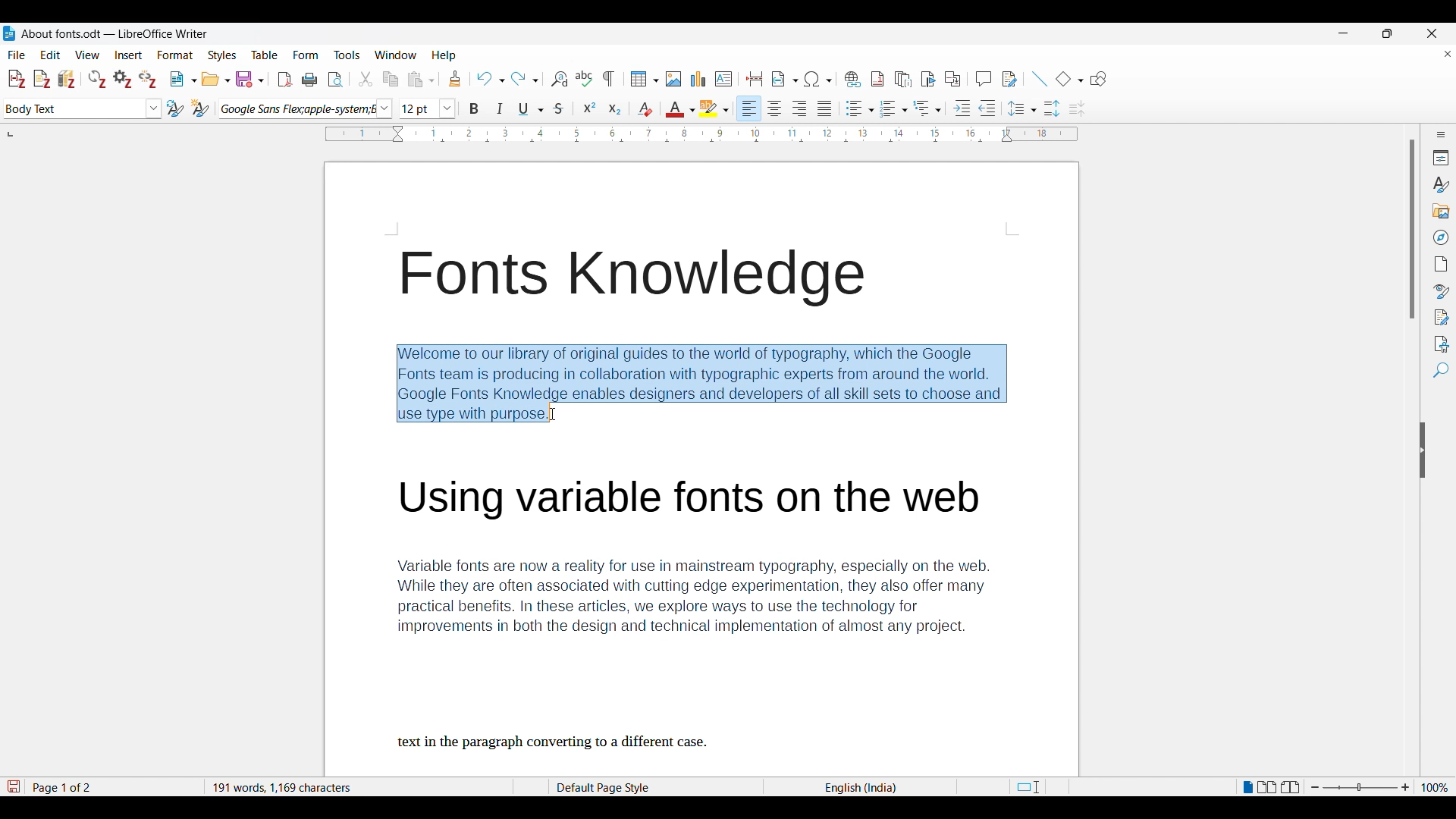 This screenshot has width=1456, height=819. I want to click on Ordered list, so click(894, 108).